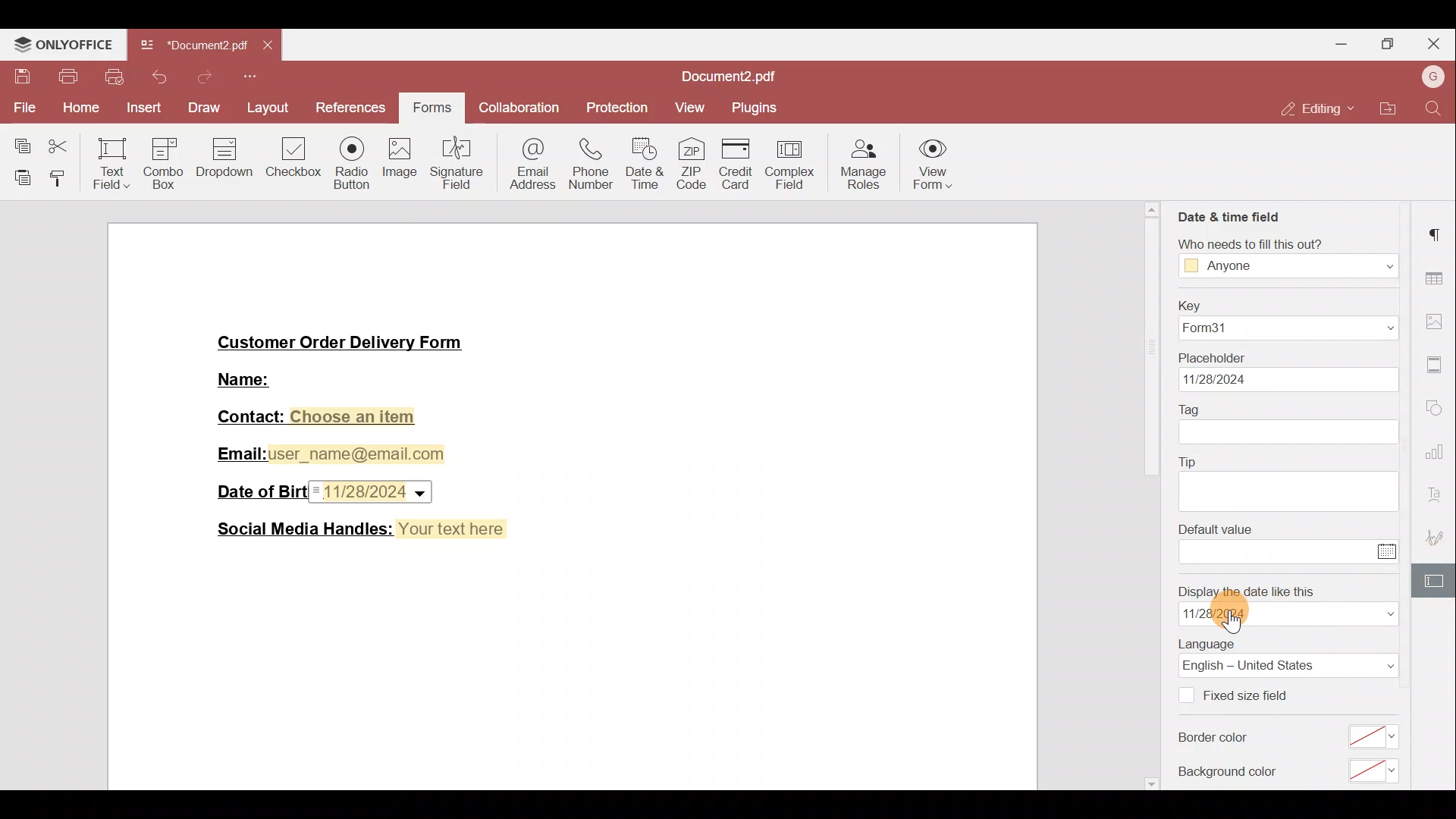 The width and height of the screenshot is (1456, 819). What do you see at coordinates (1438, 279) in the screenshot?
I see `Table settings` at bounding box center [1438, 279].